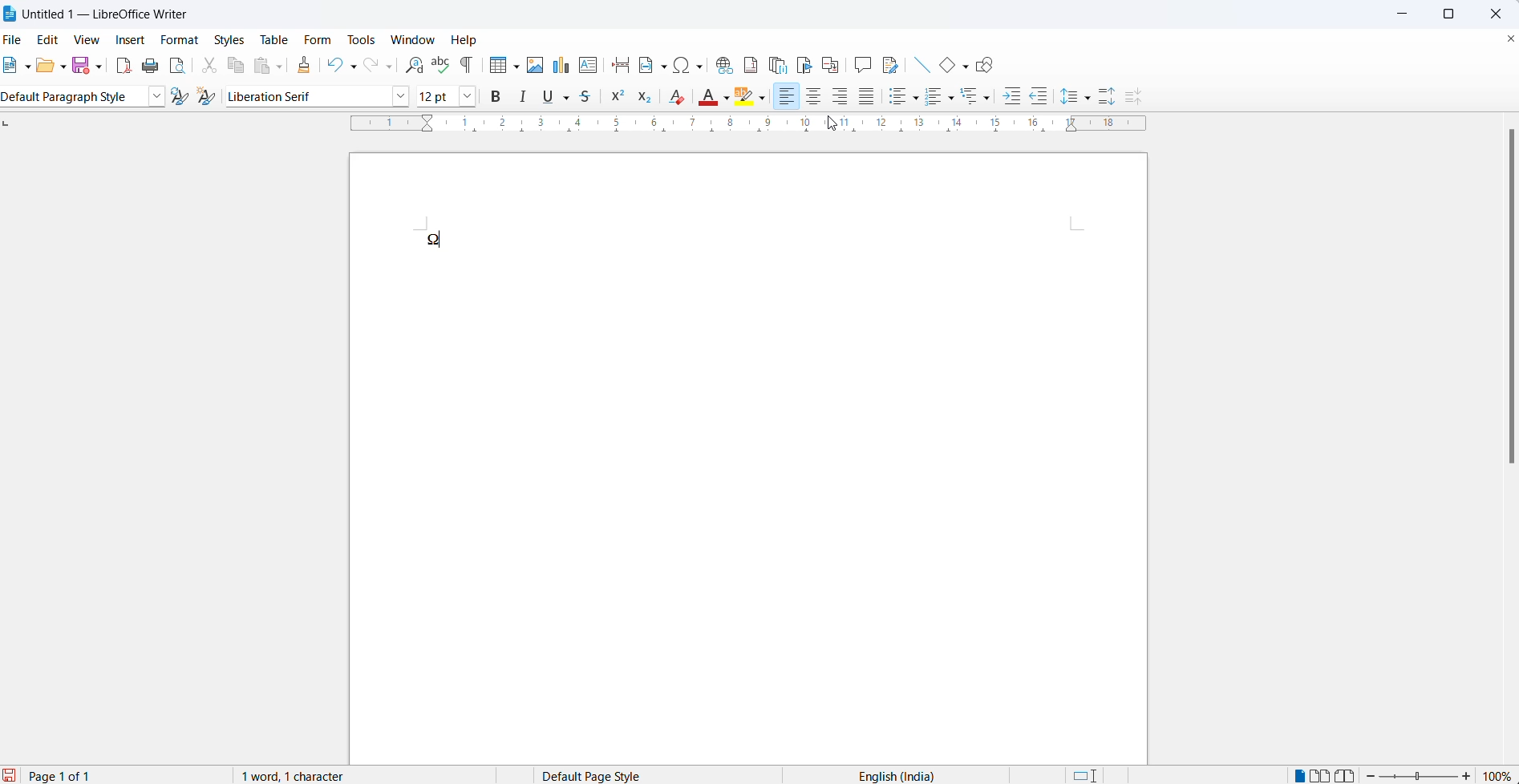 Image resolution: width=1519 pixels, height=784 pixels. Describe the element at coordinates (207, 98) in the screenshot. I see `create new style from selection` at that location.